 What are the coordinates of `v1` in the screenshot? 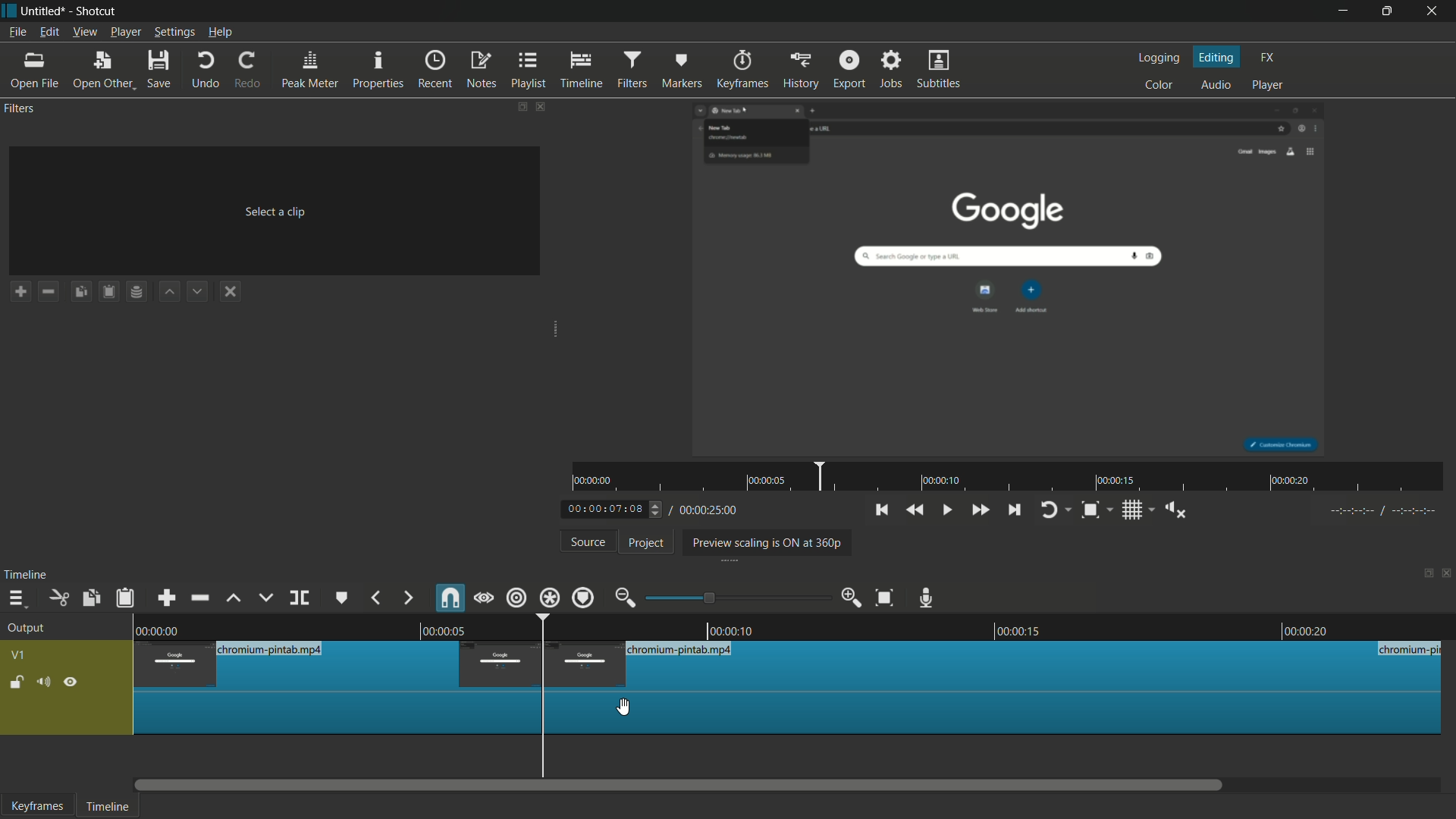 It's located at (20, 657).